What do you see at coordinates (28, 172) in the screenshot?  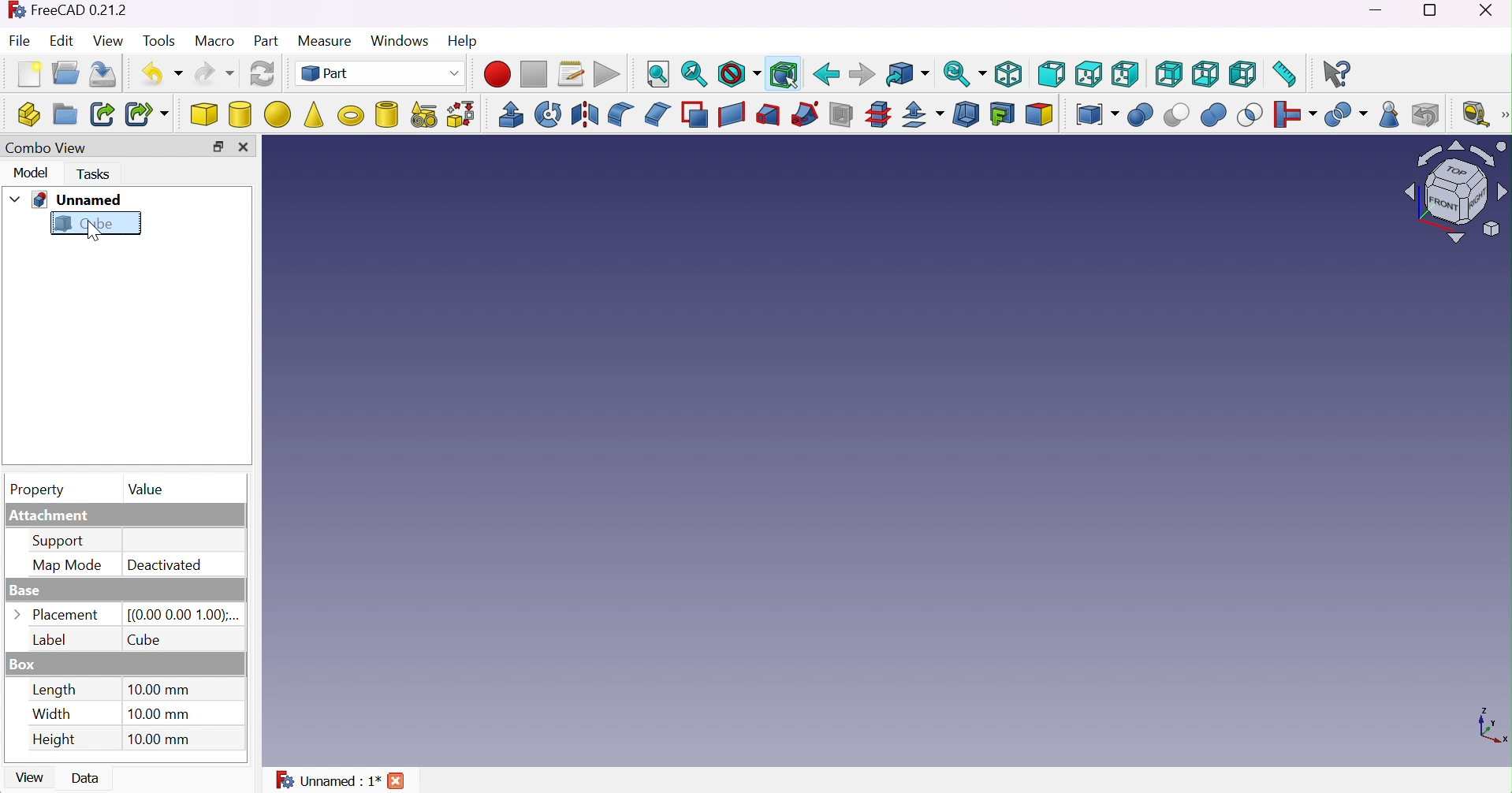 I see `Model` at bounding box center [28, 172].